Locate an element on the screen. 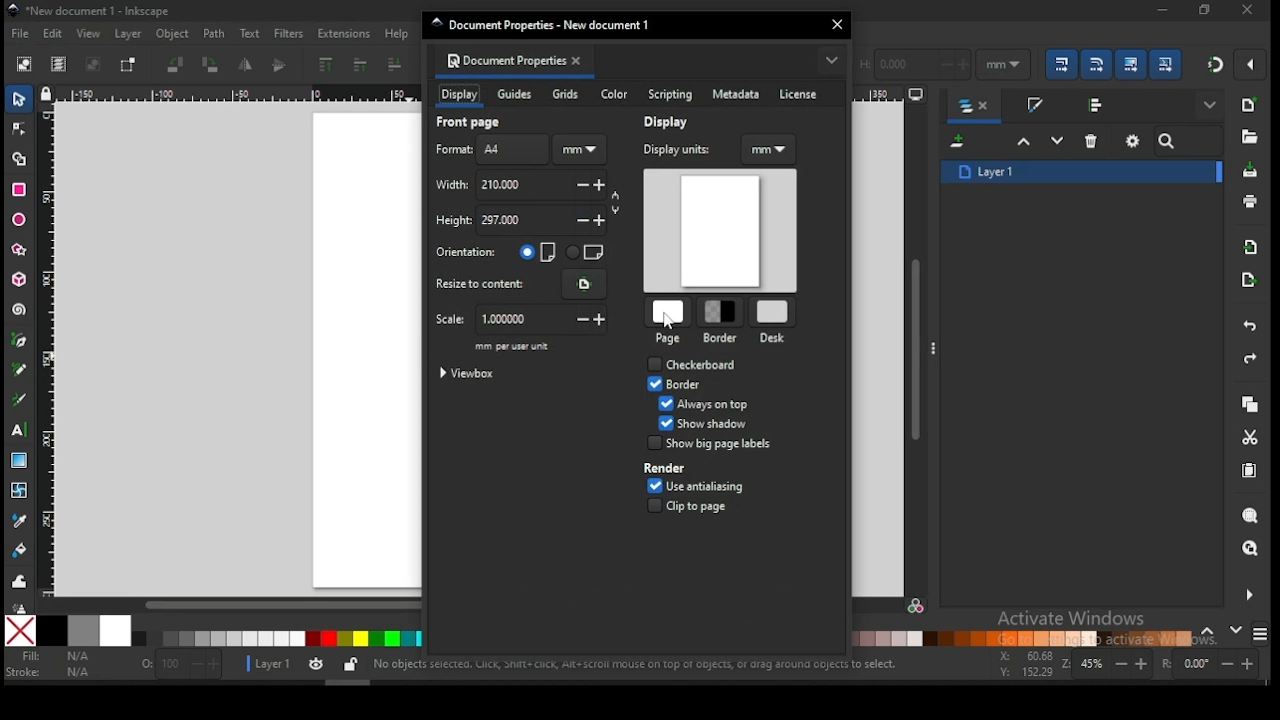 The height and width of the screenshot is (720, 1280). color palette is located at coordinates (1023, 638).